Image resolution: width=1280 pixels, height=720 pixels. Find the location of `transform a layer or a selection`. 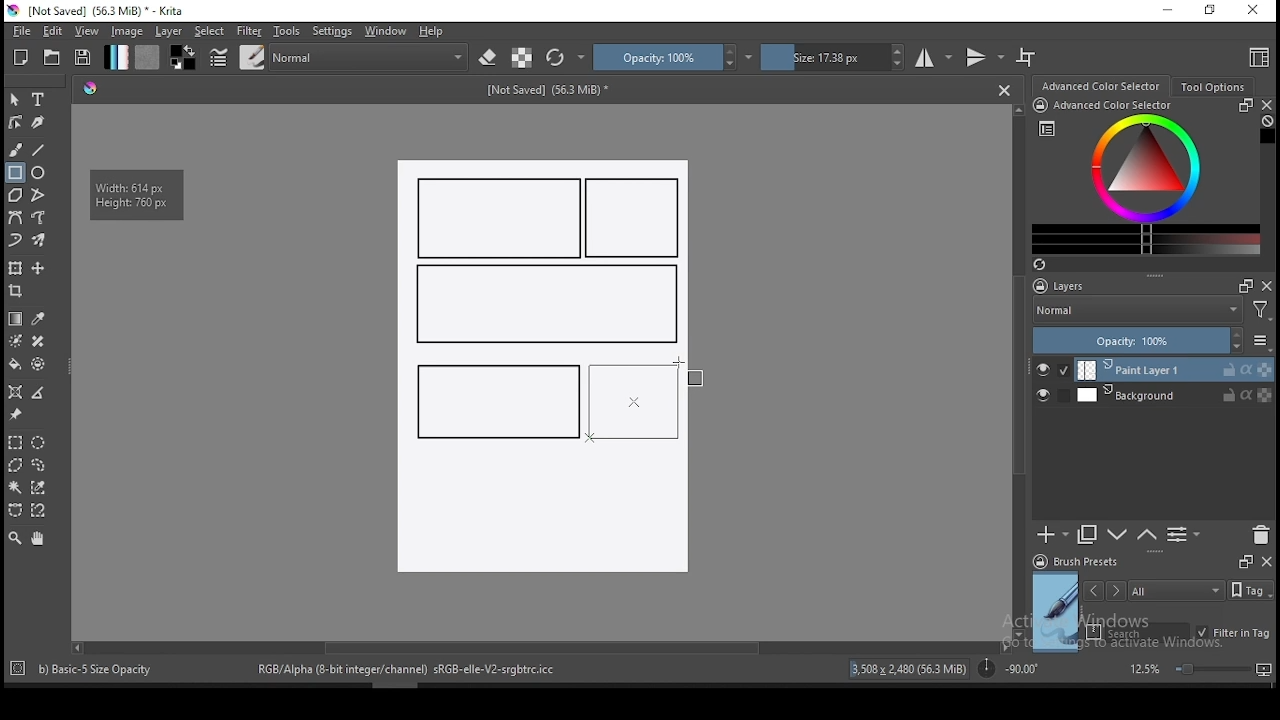

transform a layer or a selection is located at coordinates (15, 267).